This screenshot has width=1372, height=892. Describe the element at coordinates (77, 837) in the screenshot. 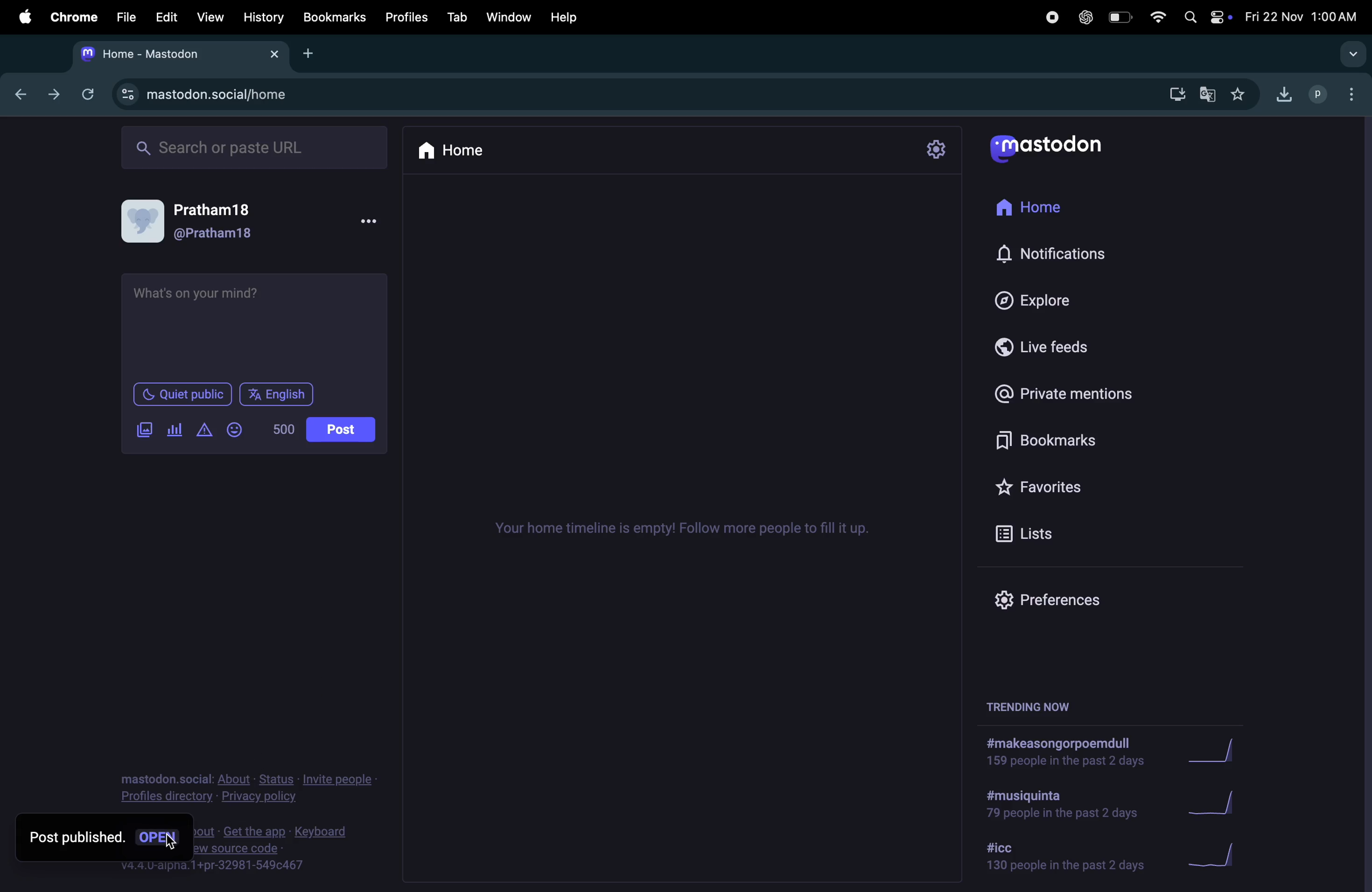

I see `post published` at that location.